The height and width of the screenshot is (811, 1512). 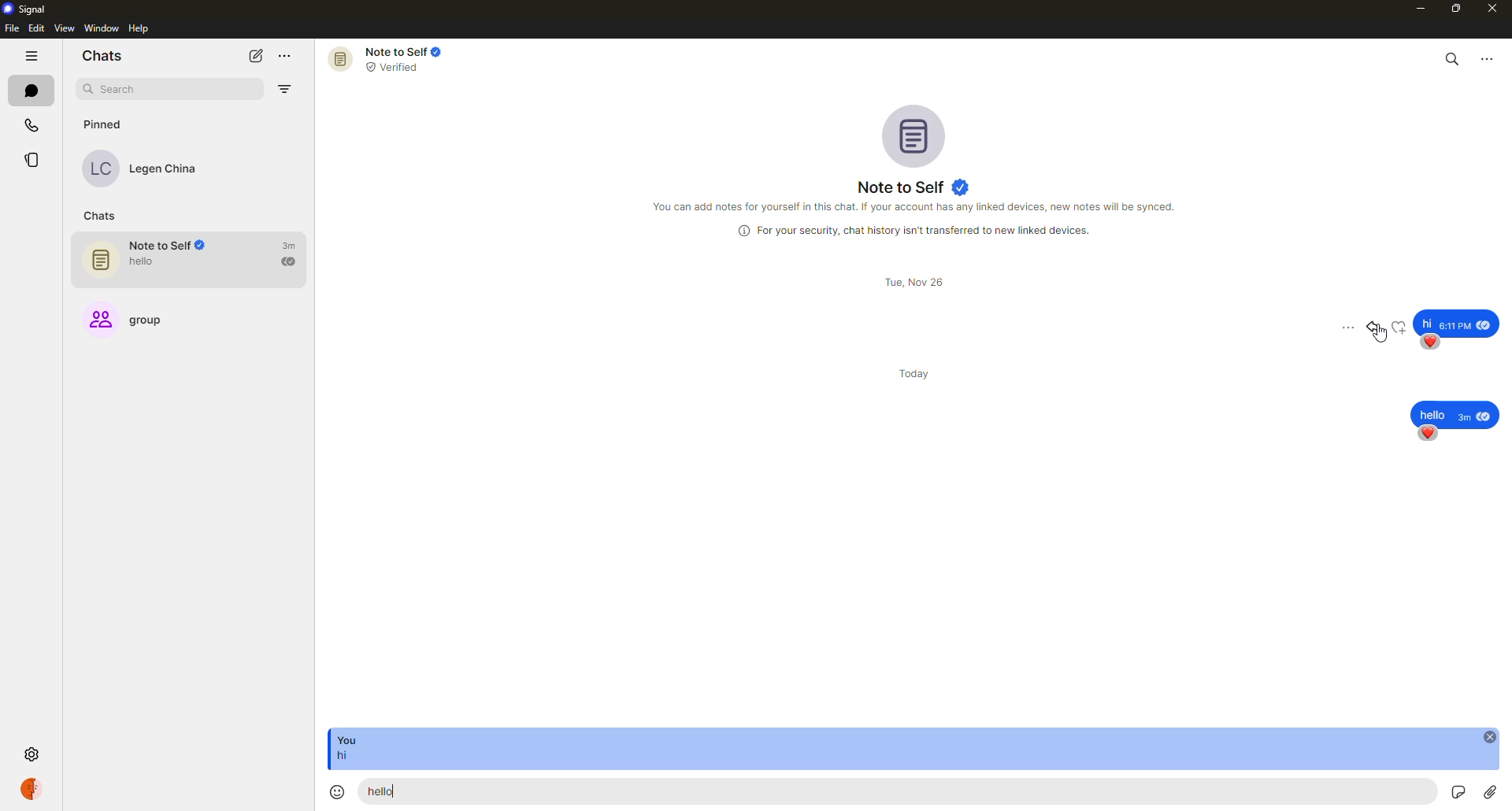 I want to click on more, so click(x=1347, y=327).